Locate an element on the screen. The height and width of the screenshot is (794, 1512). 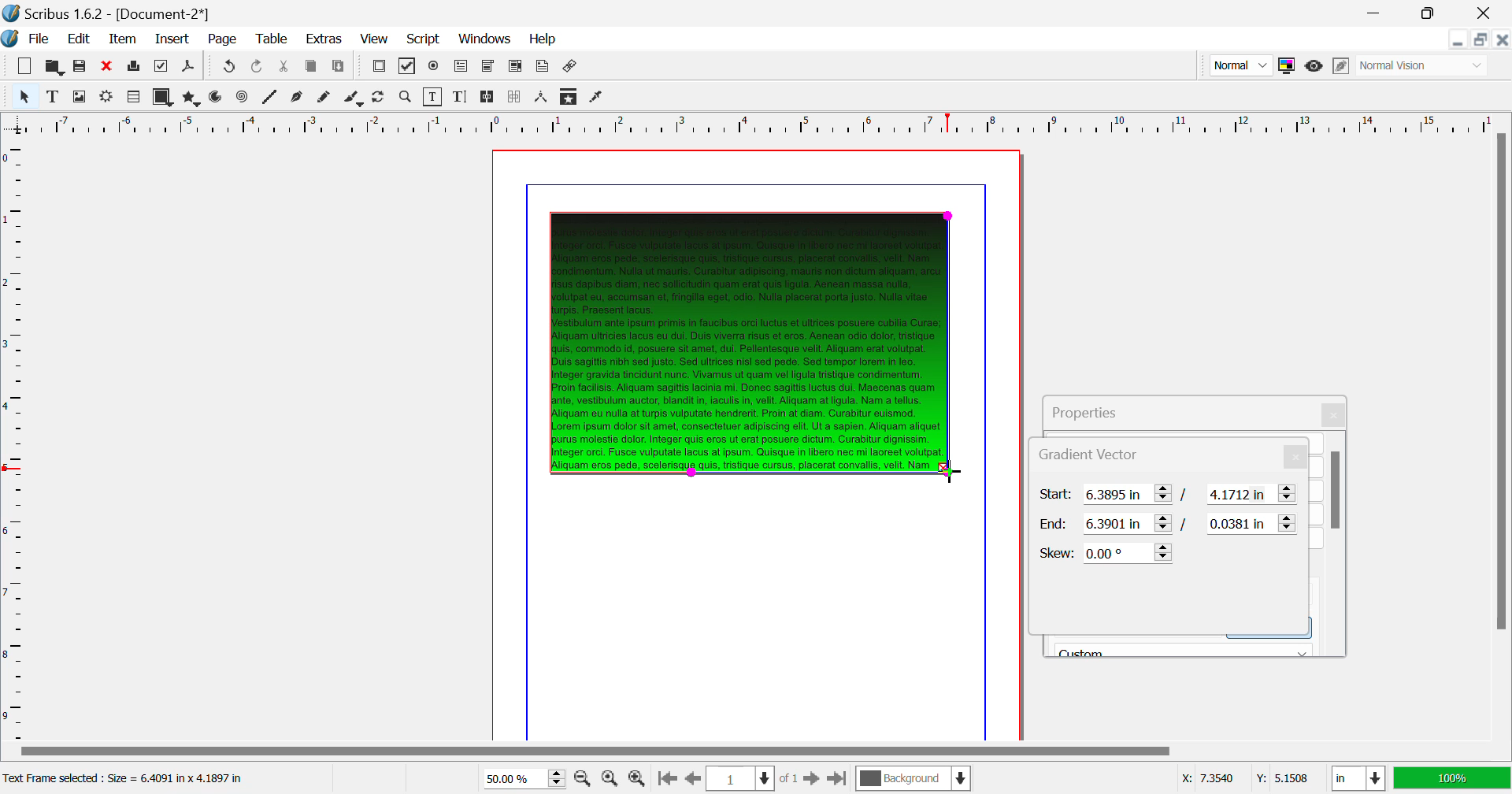
Toggle Color Management is located at coordinates (1286, 65).